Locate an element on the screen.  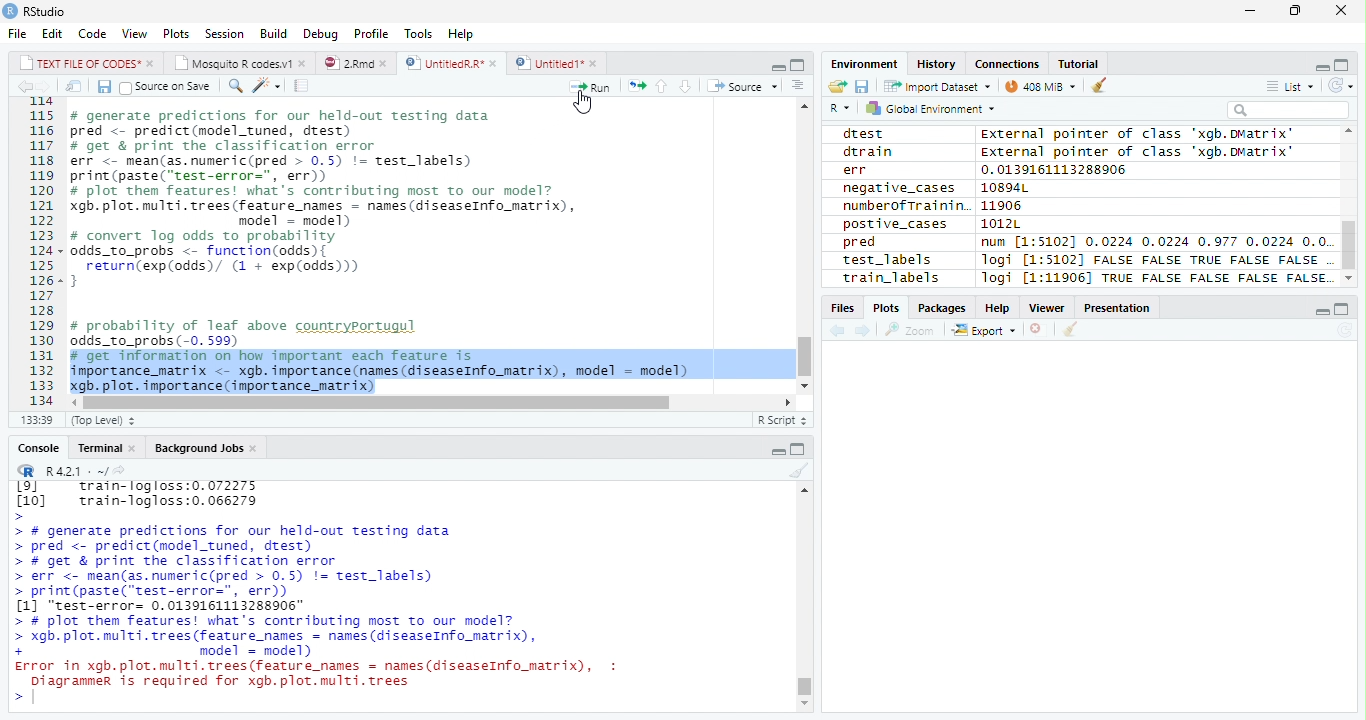
err is located at coordinates (854, 170).